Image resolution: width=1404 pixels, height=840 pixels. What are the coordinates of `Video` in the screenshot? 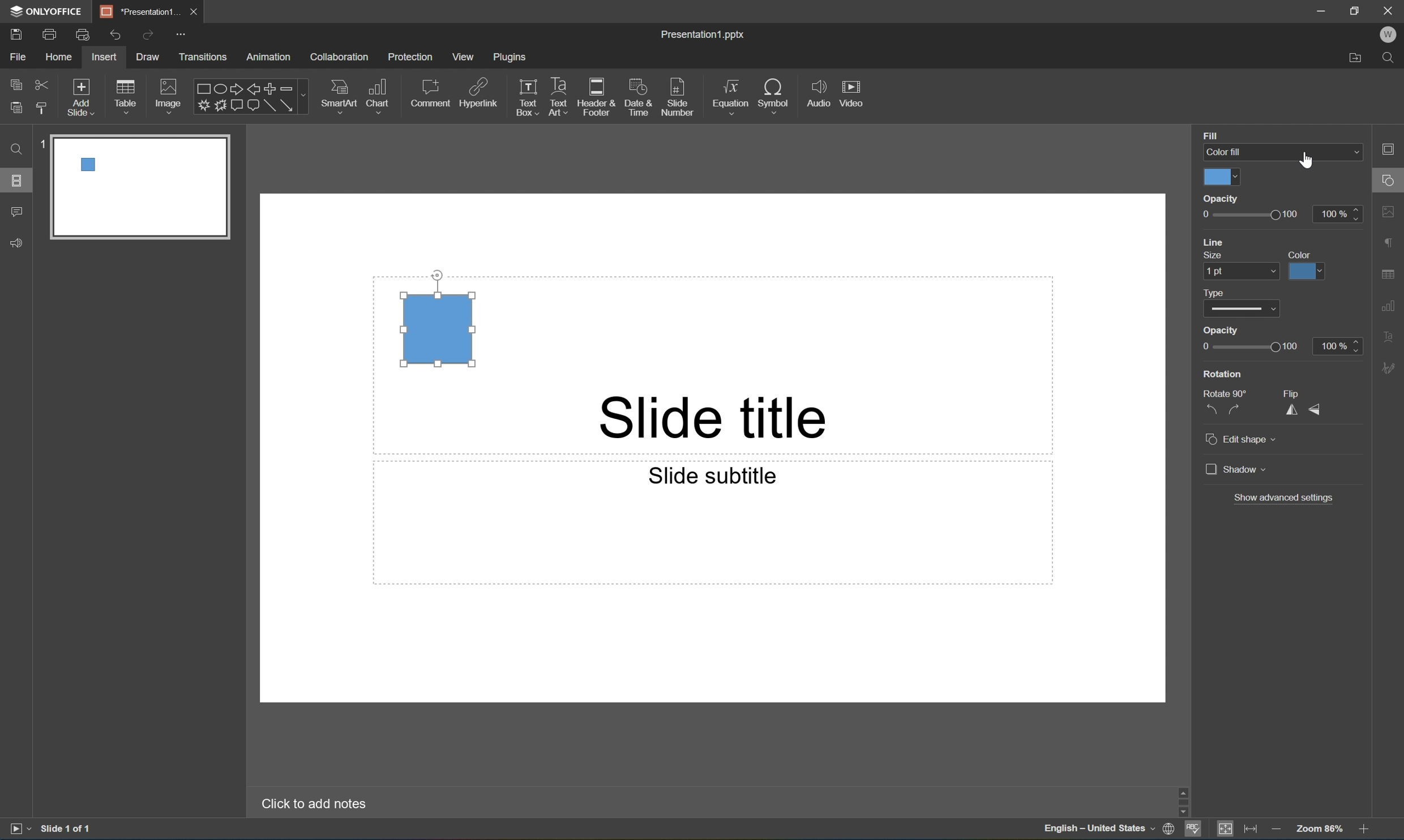 It's located at (850, 92).